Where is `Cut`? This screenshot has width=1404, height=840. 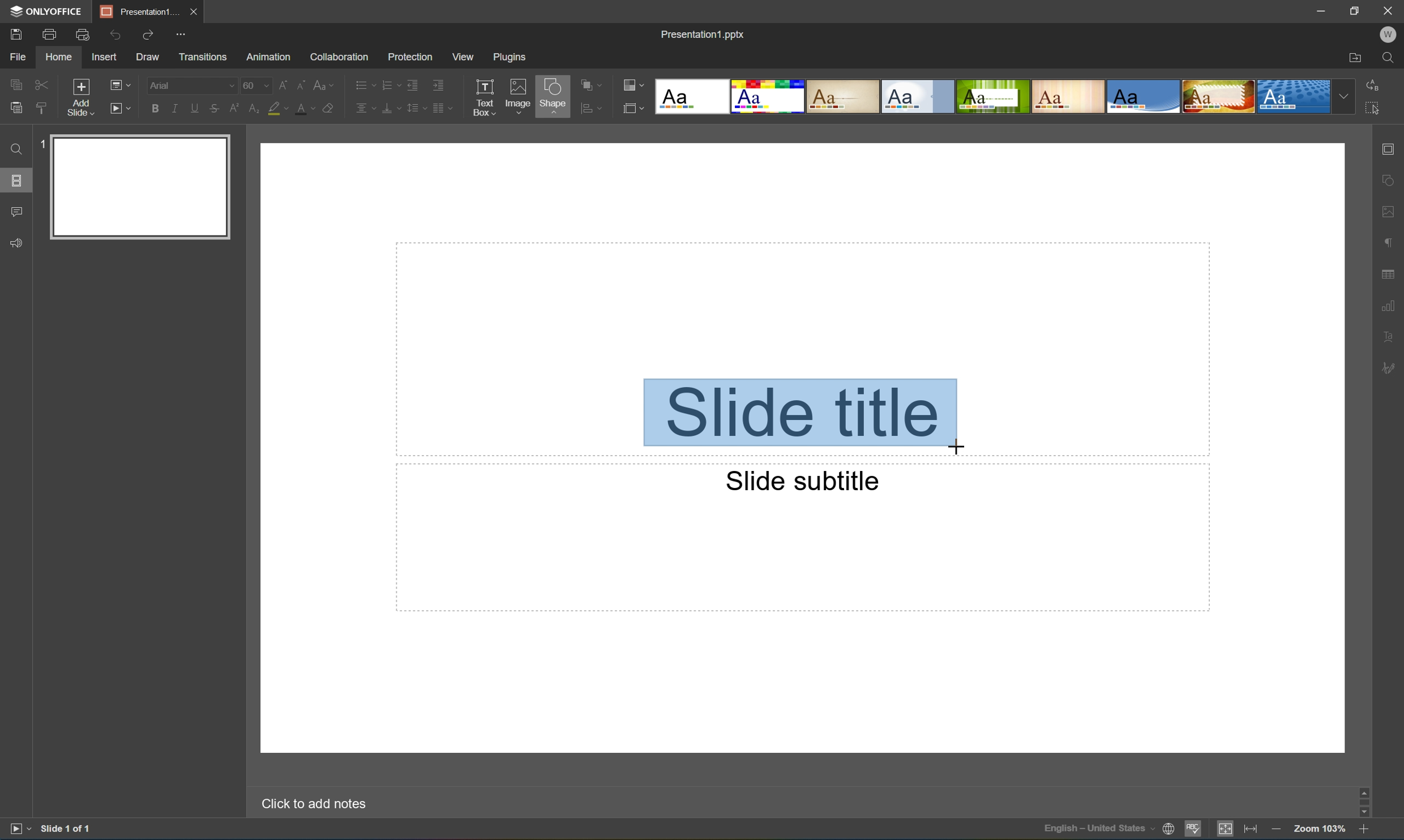
Cut is located at coordinates (40, 83).